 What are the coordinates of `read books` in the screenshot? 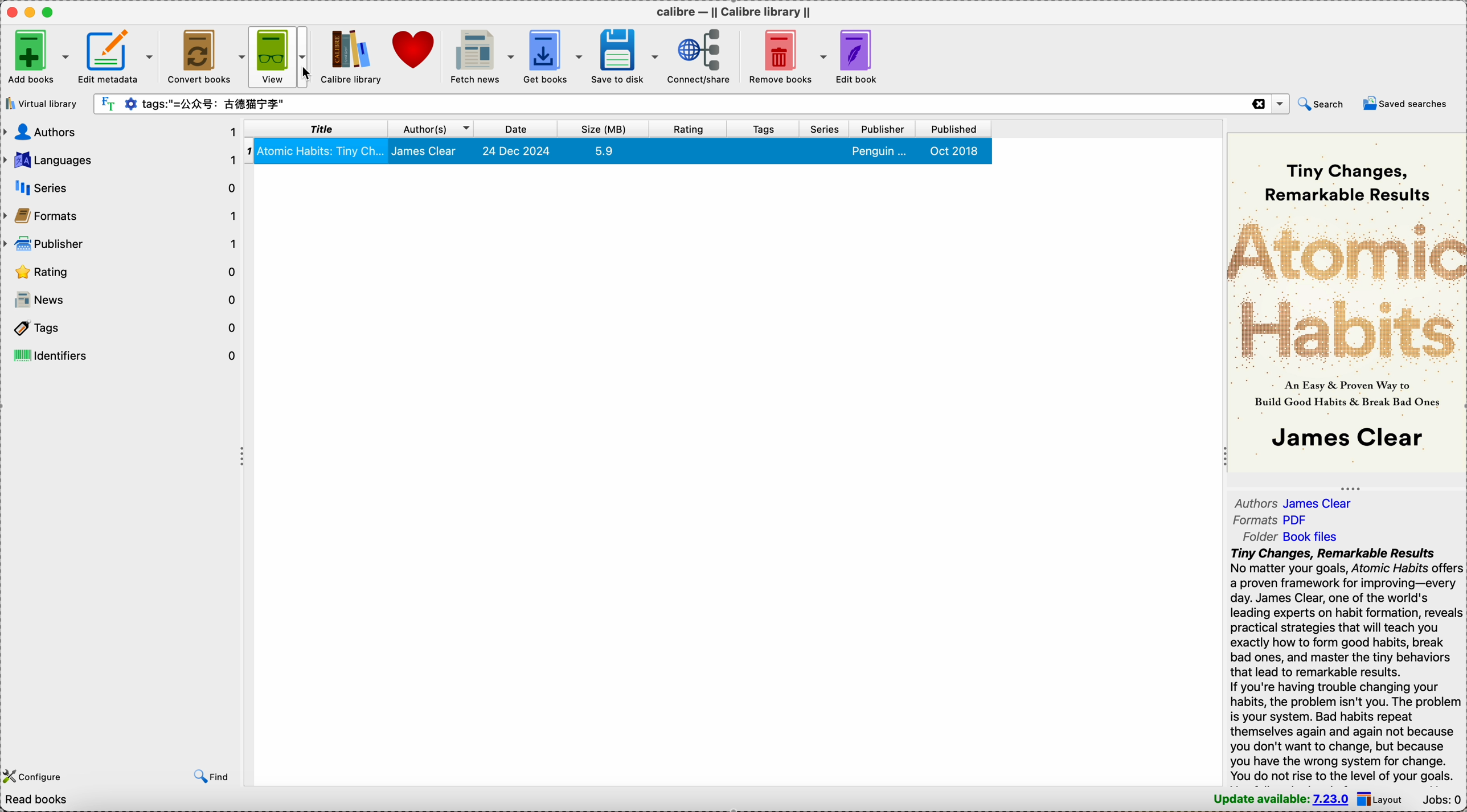 It's located at (46, 801).